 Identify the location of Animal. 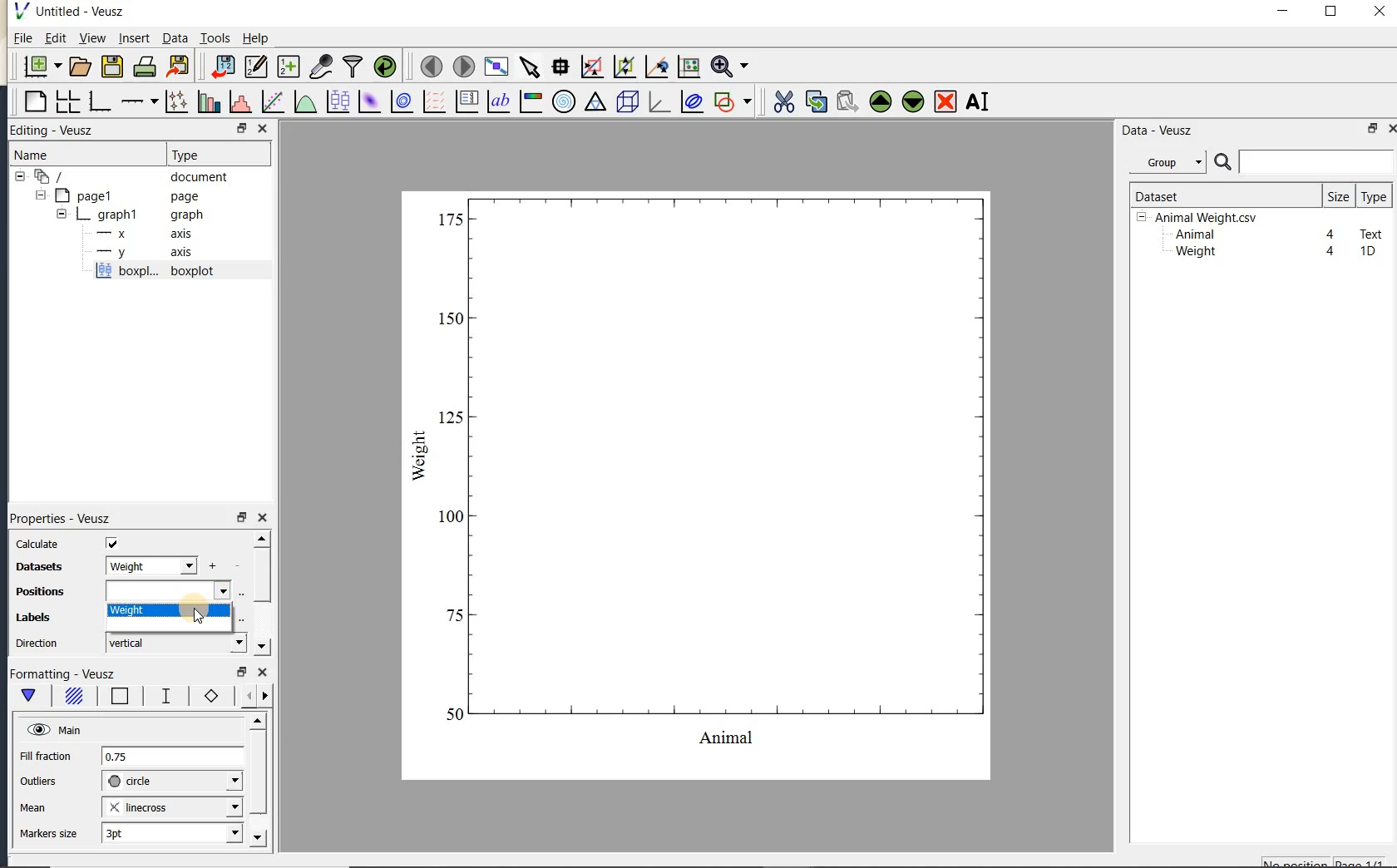
(1193, 235).